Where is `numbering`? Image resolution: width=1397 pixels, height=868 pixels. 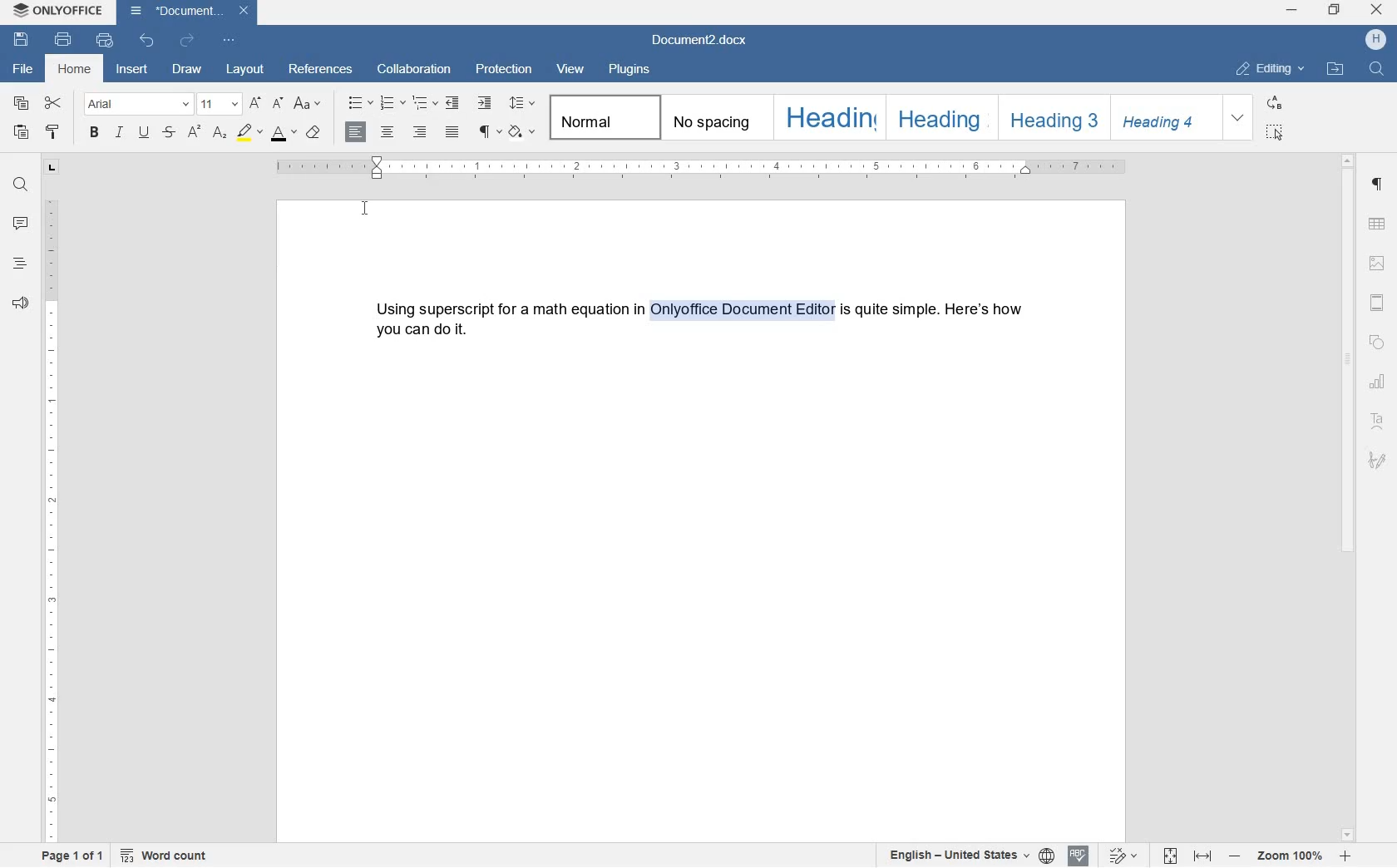
numbering is located at coordinates (392, 102).